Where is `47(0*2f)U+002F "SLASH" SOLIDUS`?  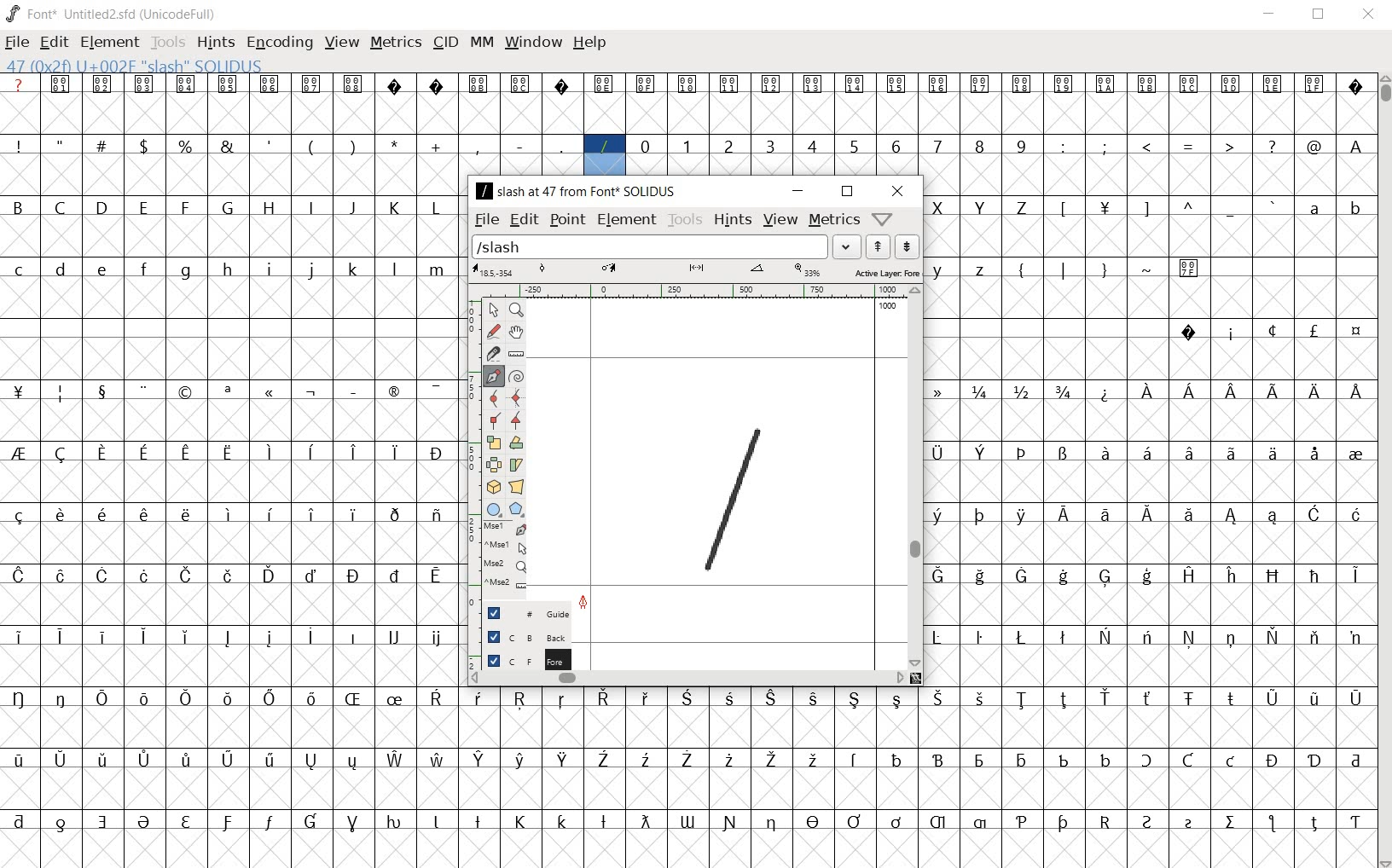
47(0*2f)U+002F "SLASH" SOLIDUS is located at coordinates (134, 65).